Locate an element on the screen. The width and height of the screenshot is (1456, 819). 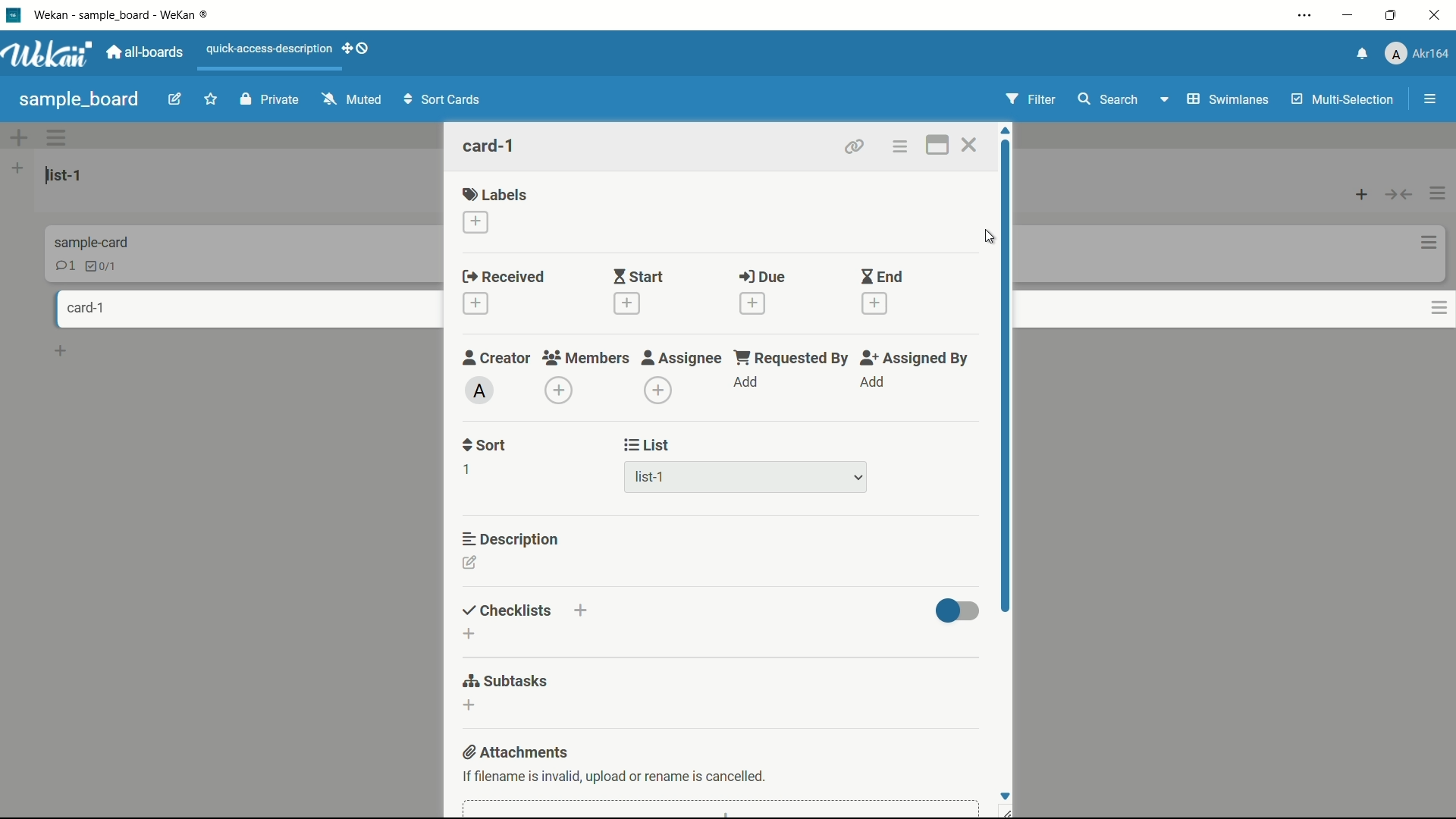
card name is located at coordinates (491, 145).